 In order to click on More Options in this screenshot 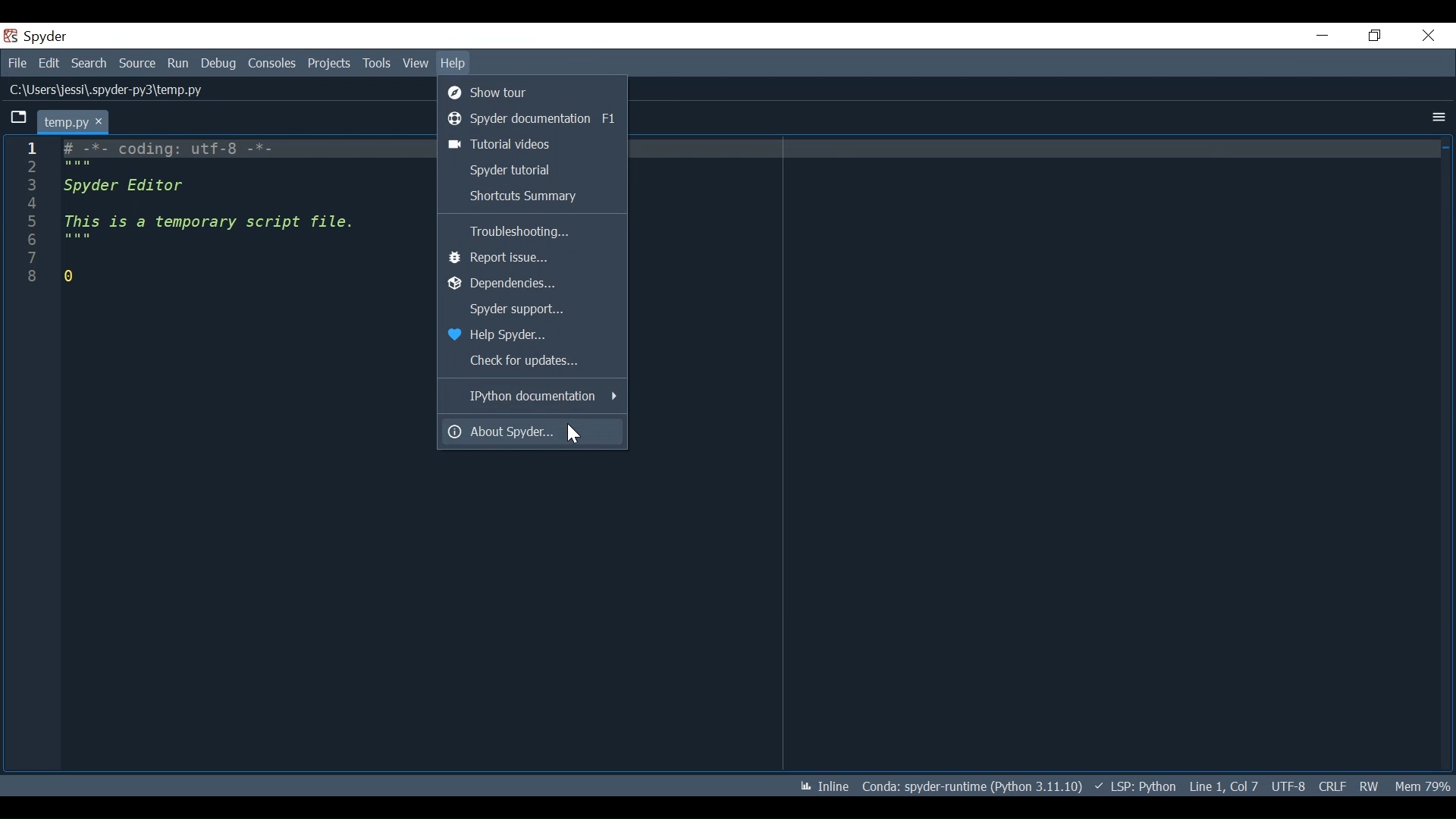, I will do `click(1436, 118)`.